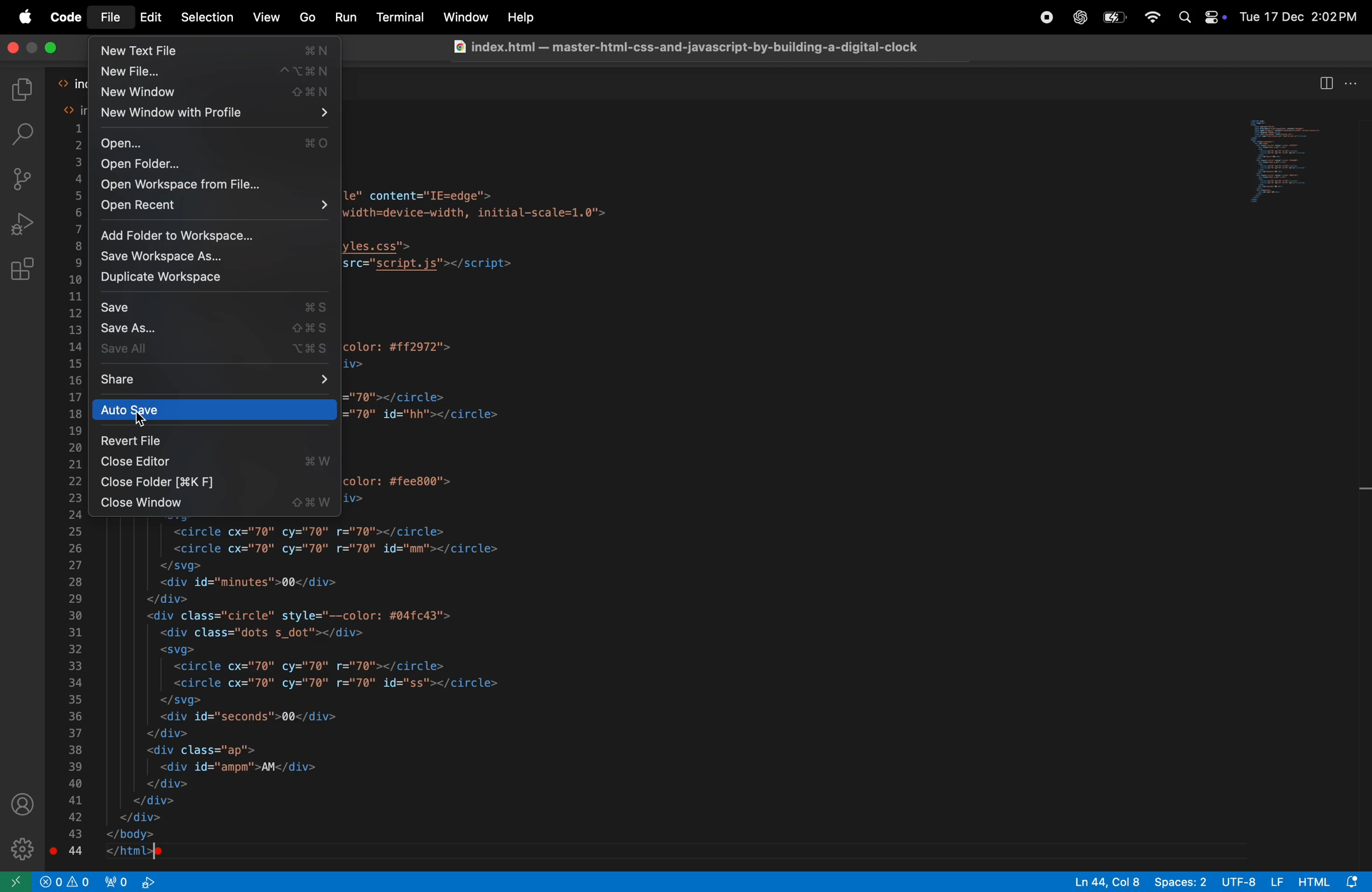 This screenshot has height=892, width=1372. I want to click on new file, so click(216, 74).